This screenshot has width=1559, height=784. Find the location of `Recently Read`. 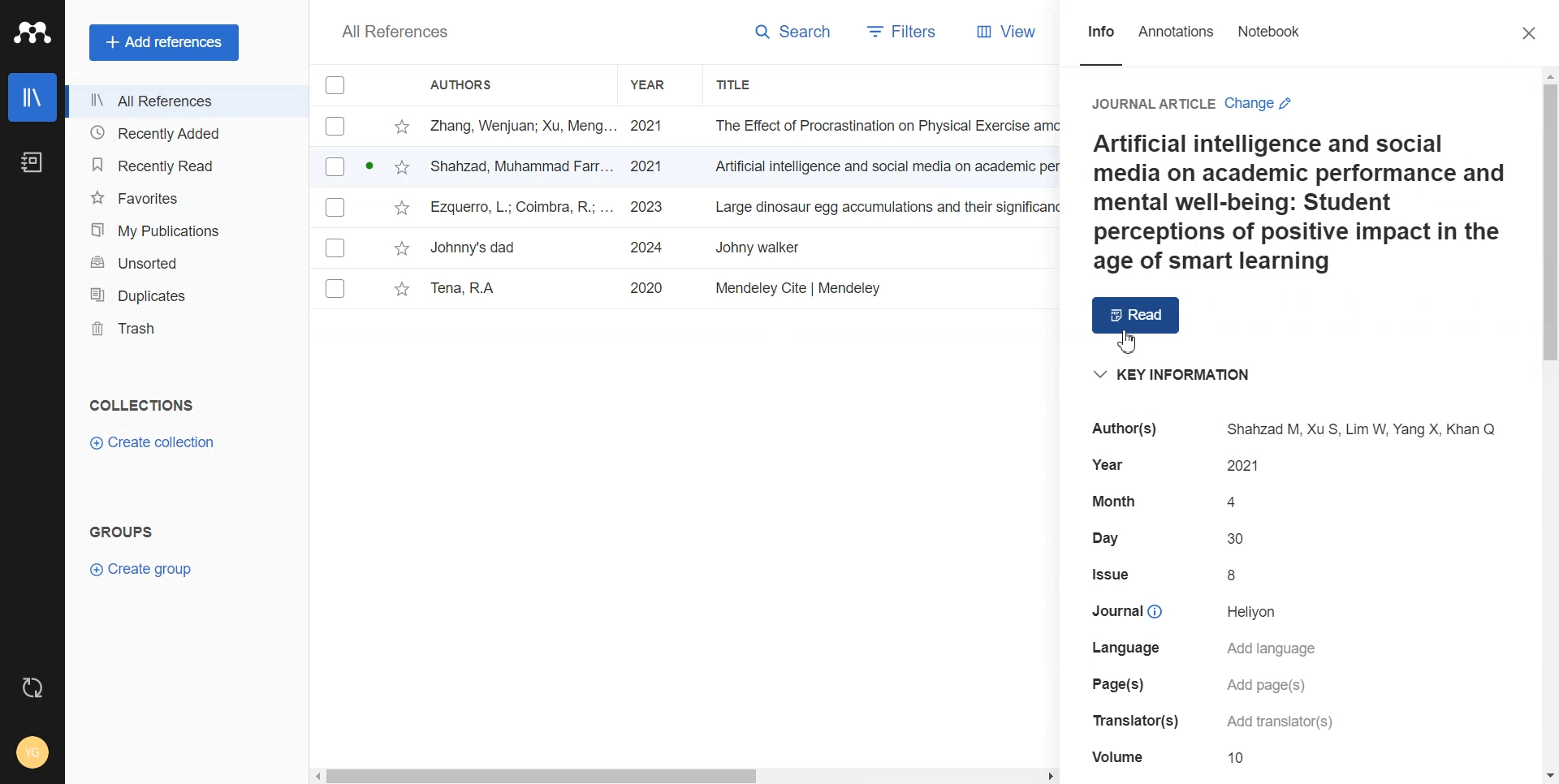

Recently Read is located at coordinates (183, 166).